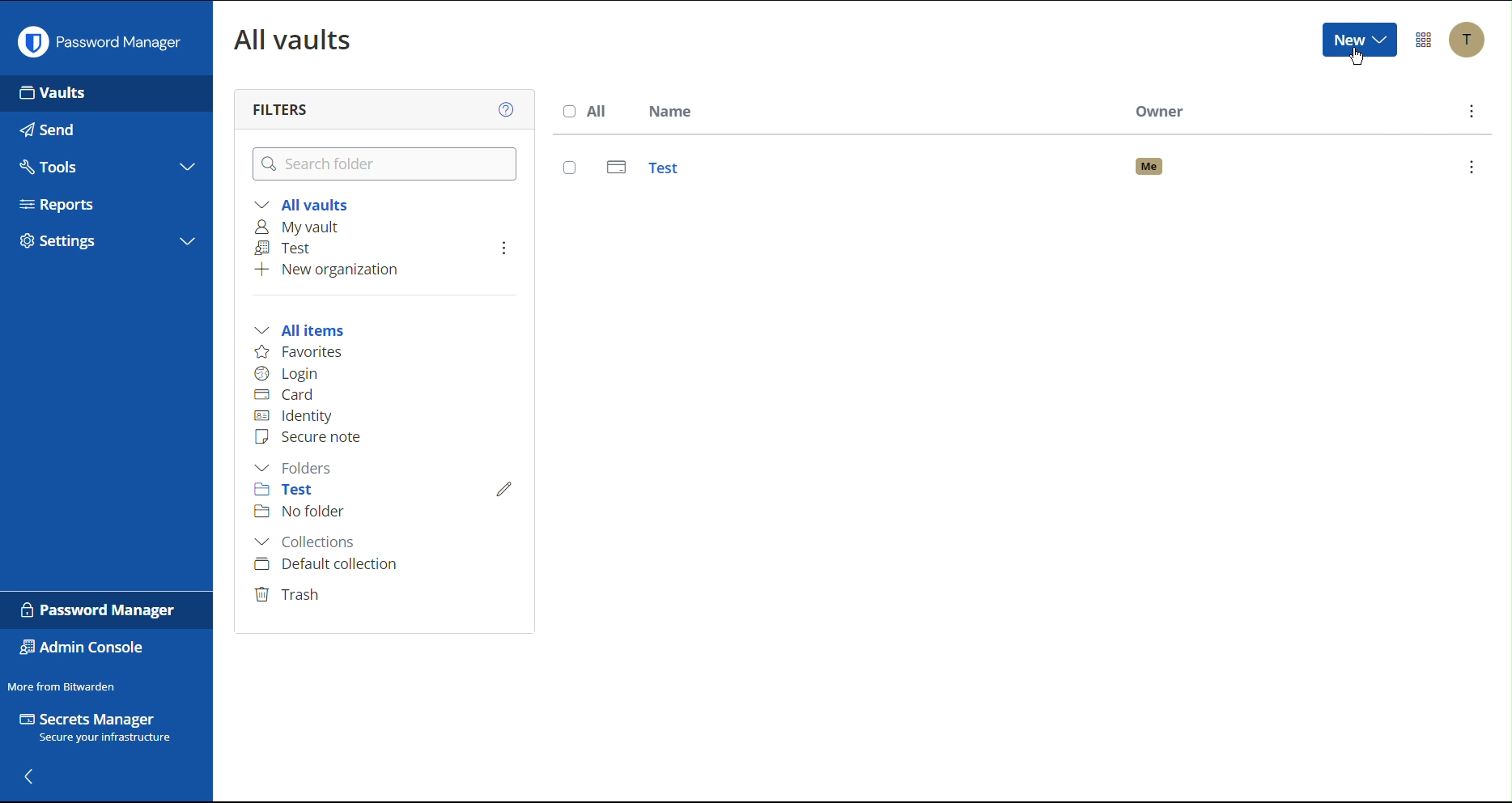  I want to click on options, so click(1472, 167).